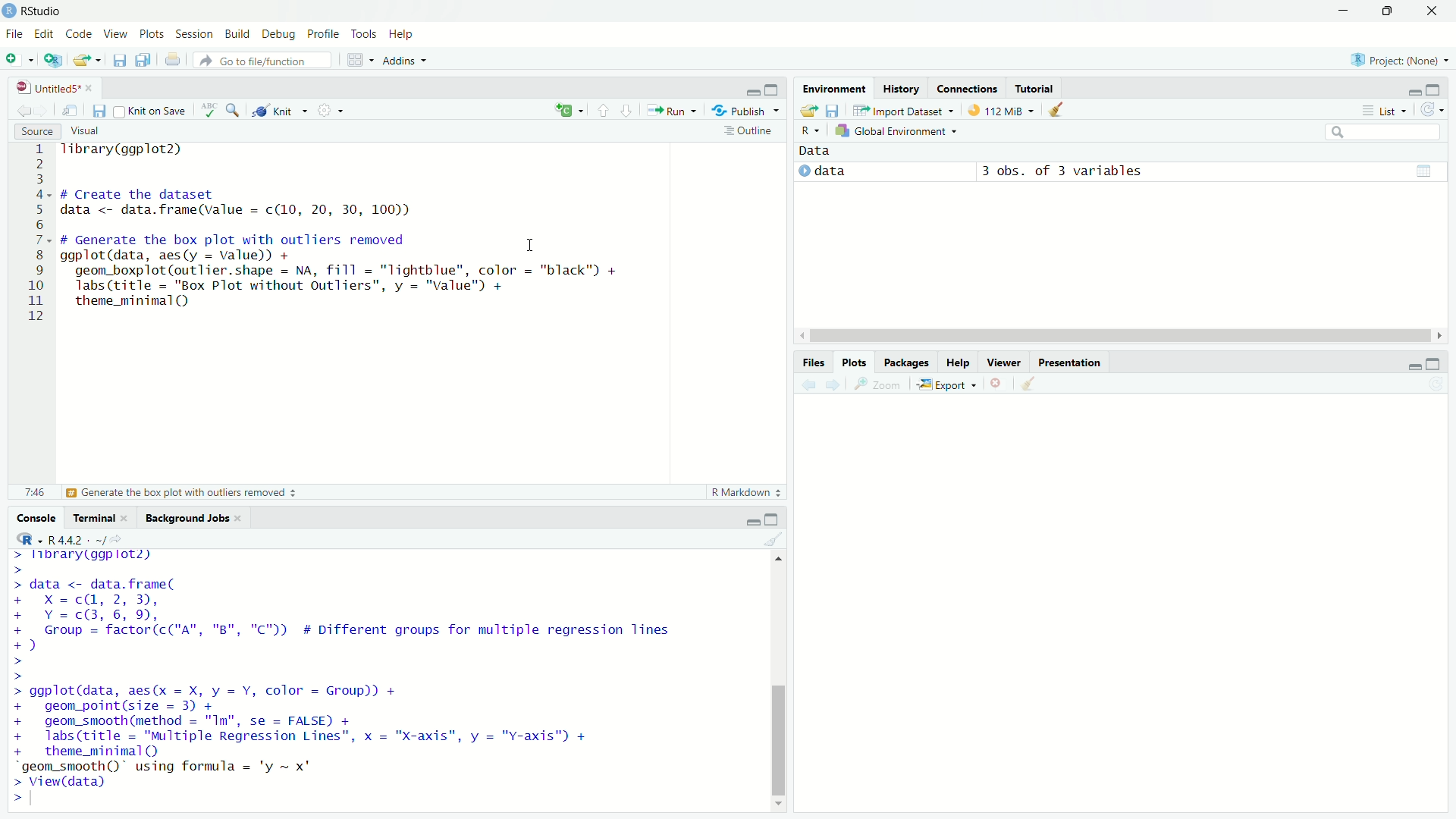  What do you see at coordinates (1432, 91) in the screenshot?
I see `maximise` at bounding box center [1432, 91].